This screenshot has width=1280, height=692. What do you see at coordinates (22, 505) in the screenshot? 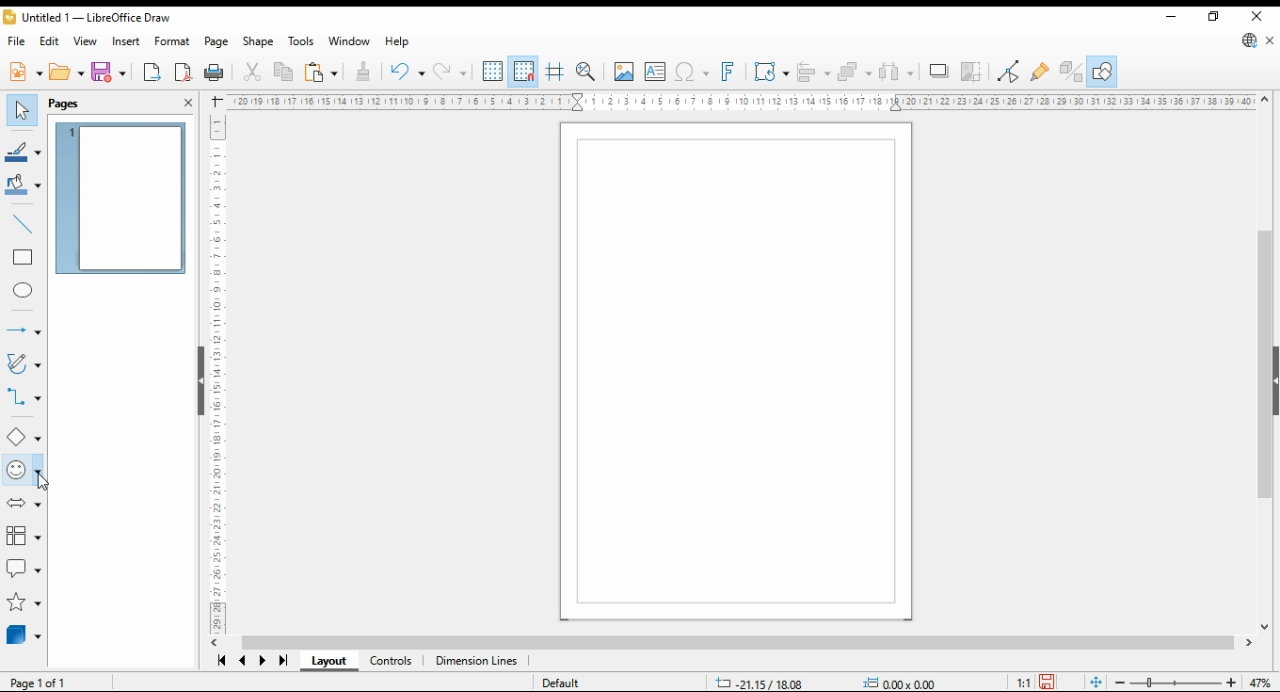
I see `block arrows` at bounding box center [22, 505].